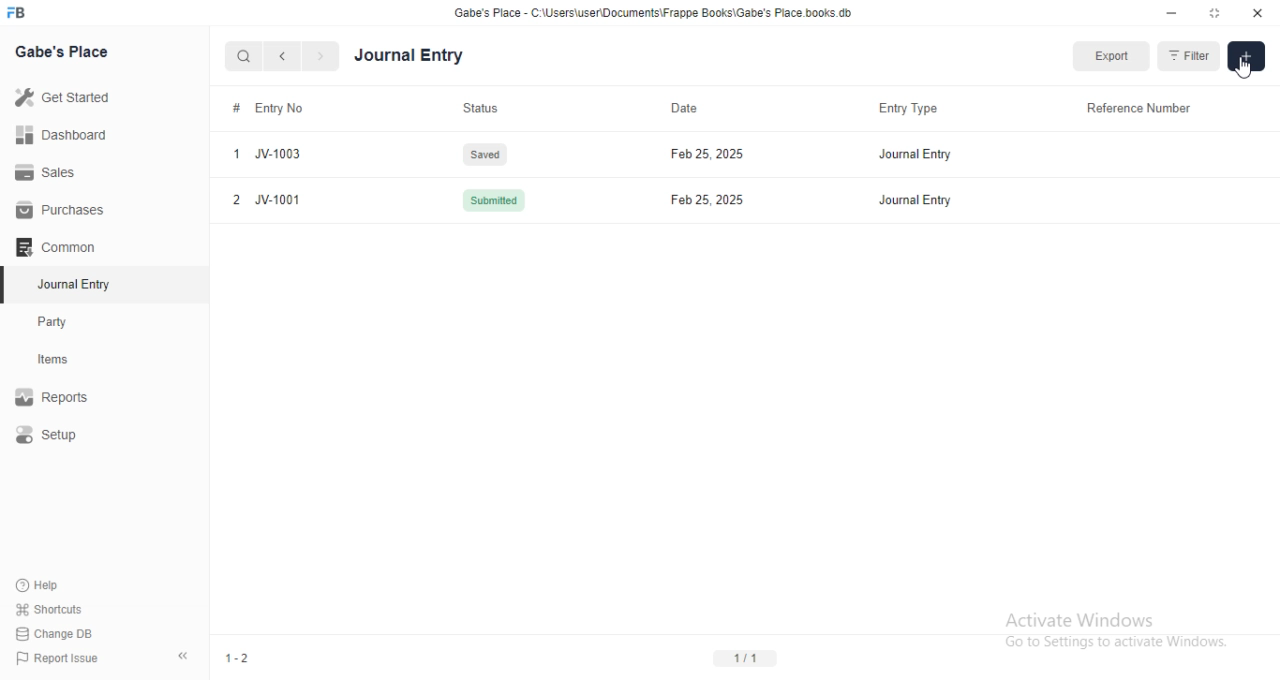 This screenshot has height=680, width=1280. Describe the element at coordinates (1244, 70) in the screenshot. I see `cursor` at that location.